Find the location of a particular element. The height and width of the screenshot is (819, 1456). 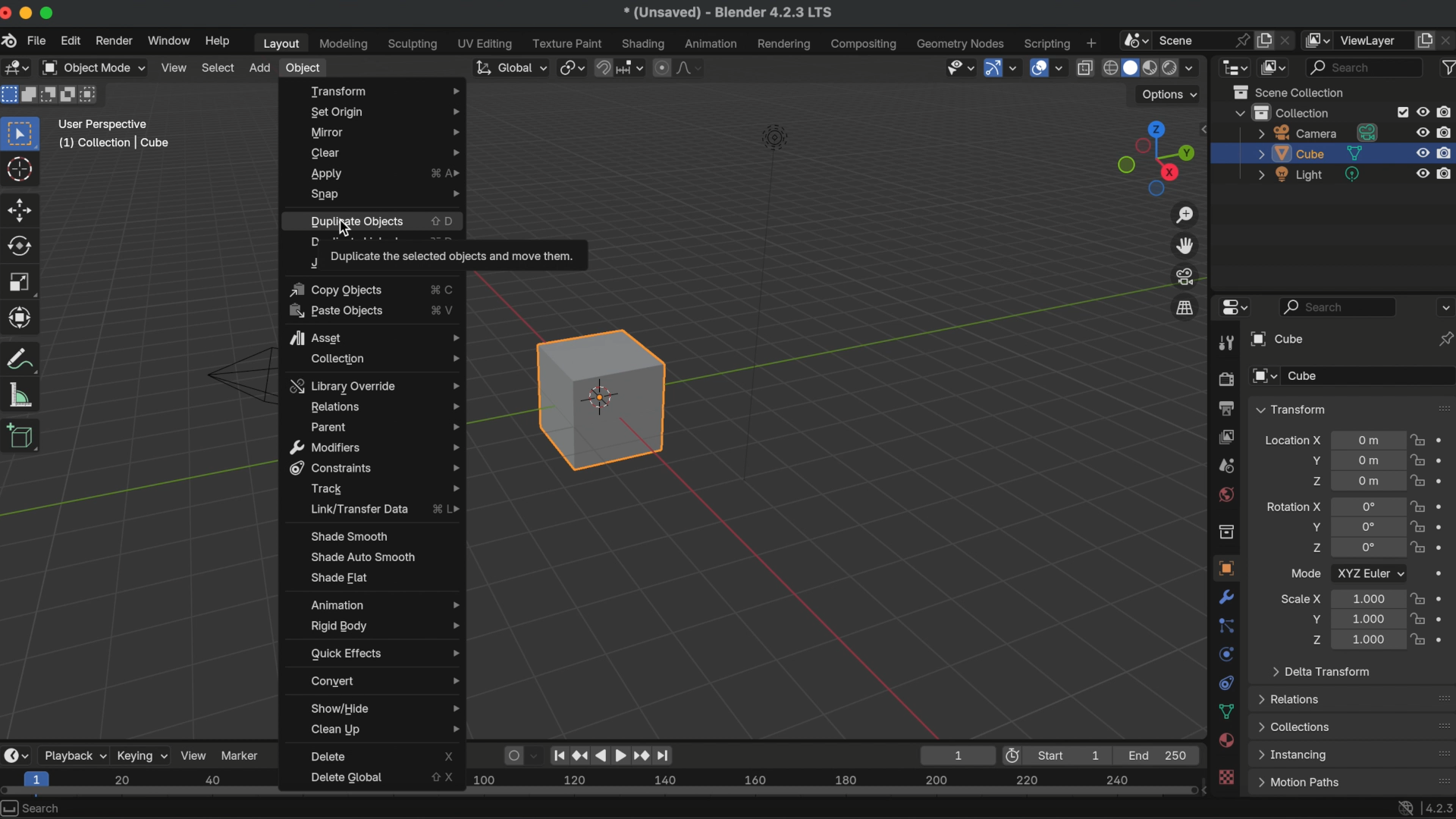

scale Z is located at coordinates (1314, 639).